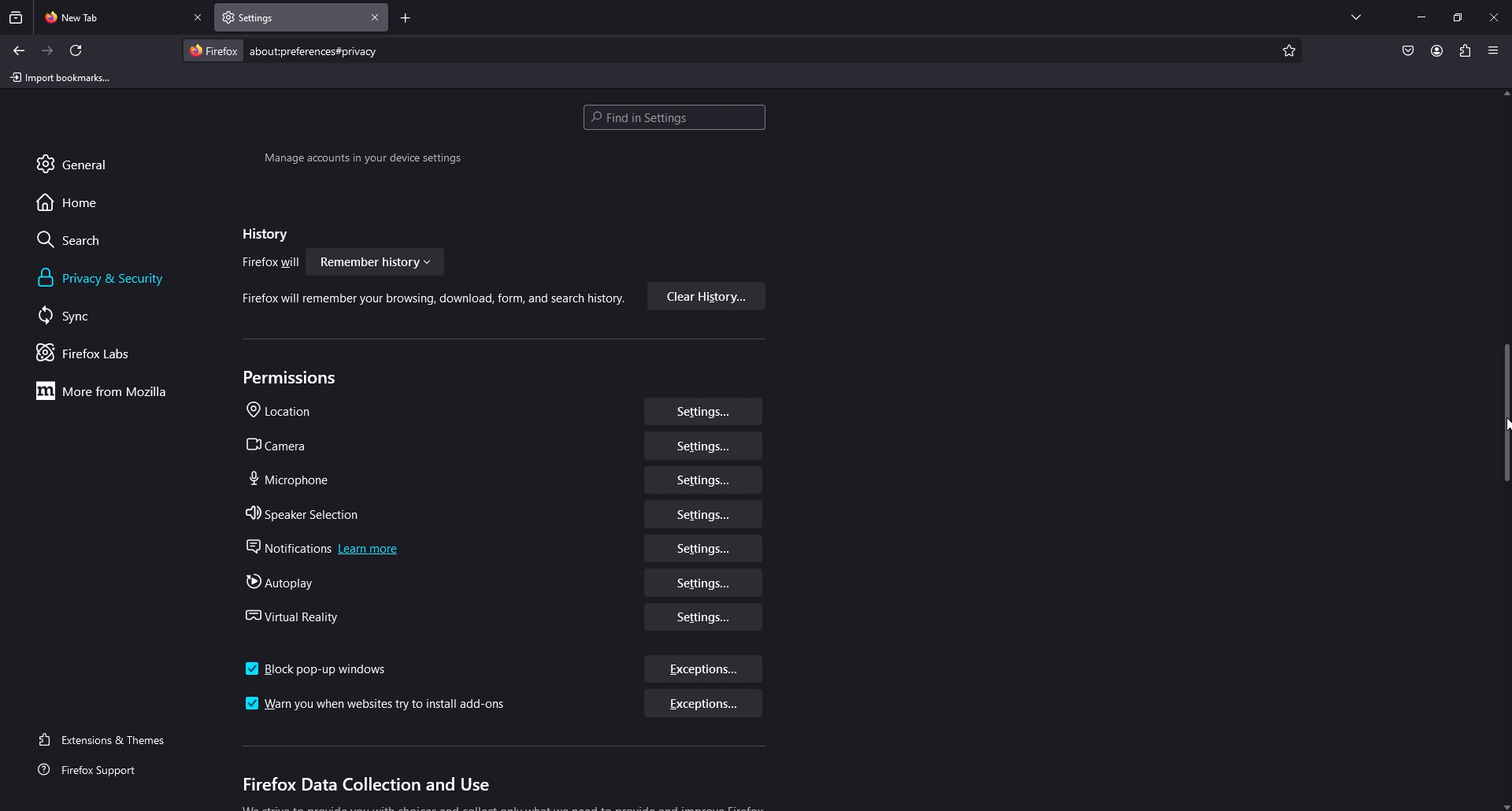  Describe the element at coordinates (90, 163) in the screenshot. I see `general` at that location.